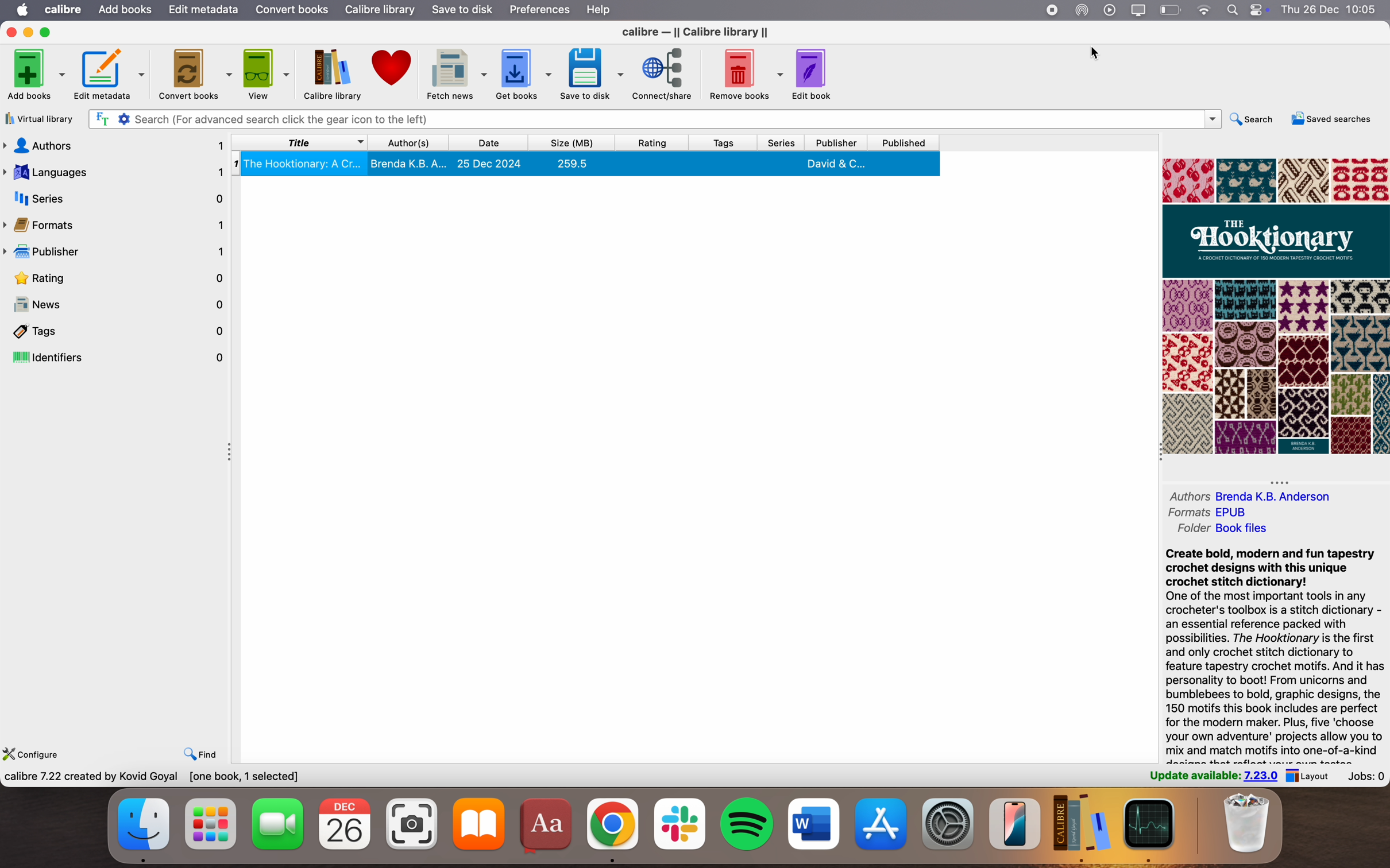  What do you see at coordinates (1368, 776) in the screenshot?
I see `Jobs: 0` at bounding box center [1368, 776].